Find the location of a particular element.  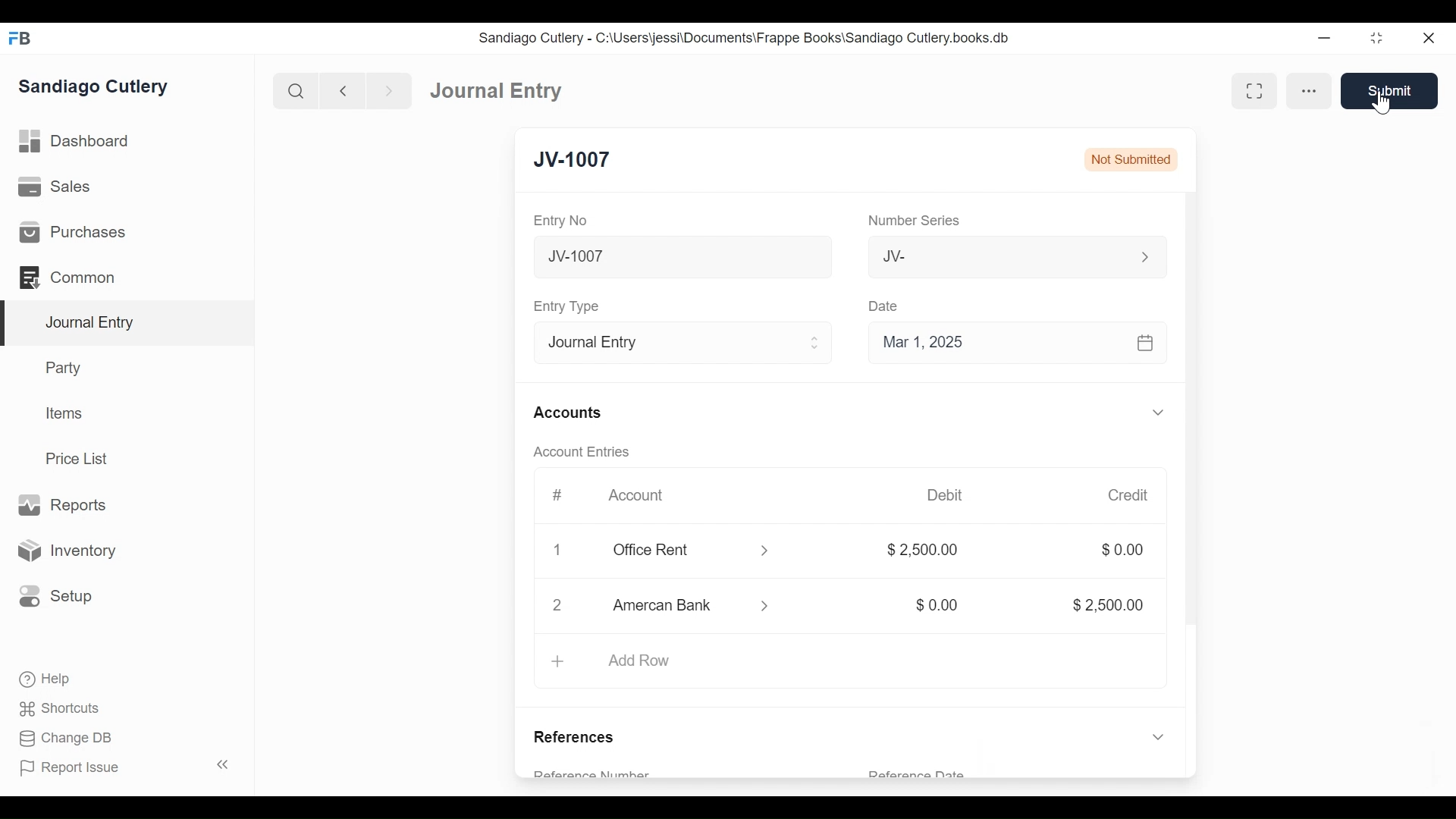

delete is located at coordinates (554, 607).